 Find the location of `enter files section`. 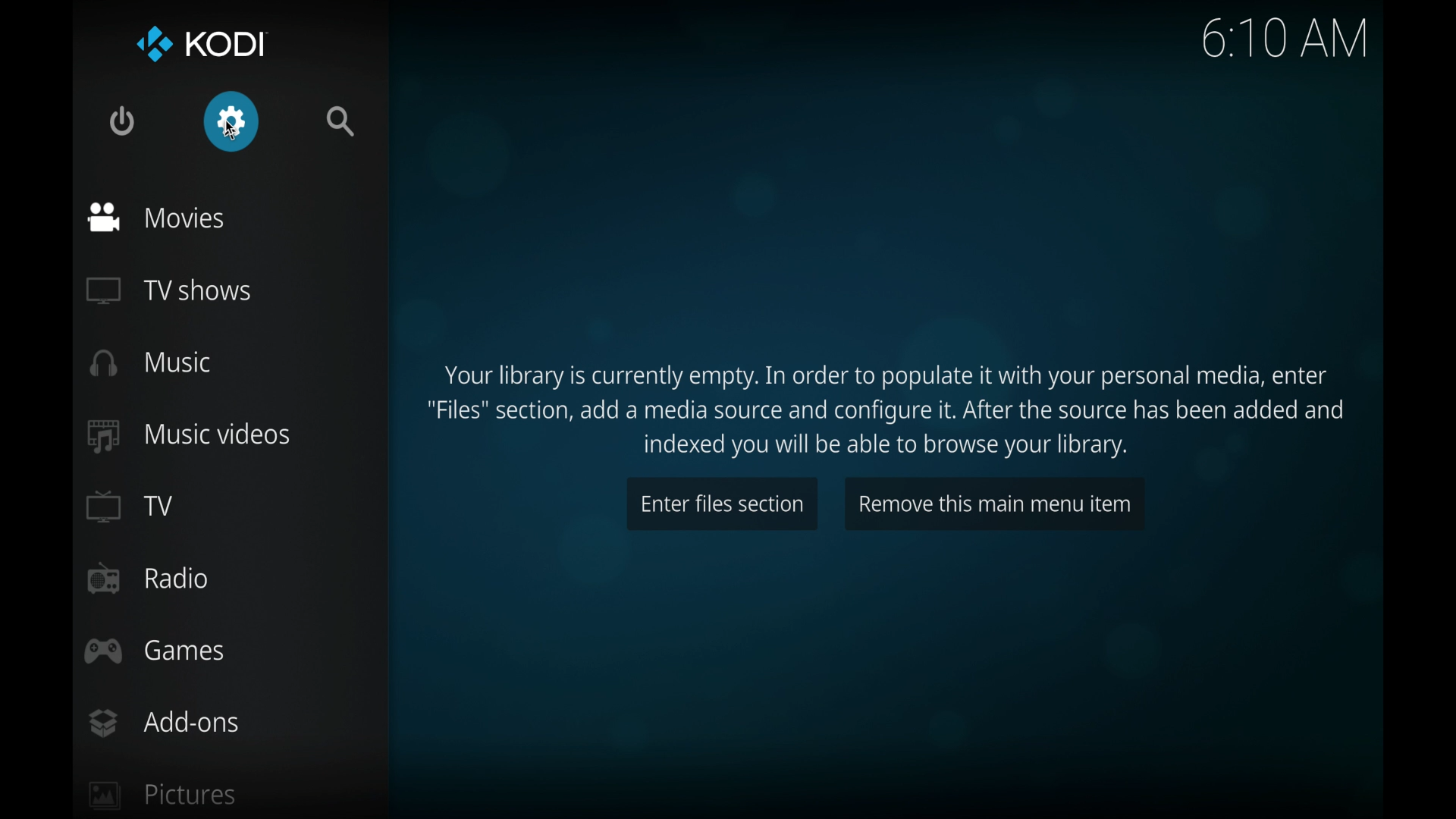

enter files section is located at coordinates (722, 504).